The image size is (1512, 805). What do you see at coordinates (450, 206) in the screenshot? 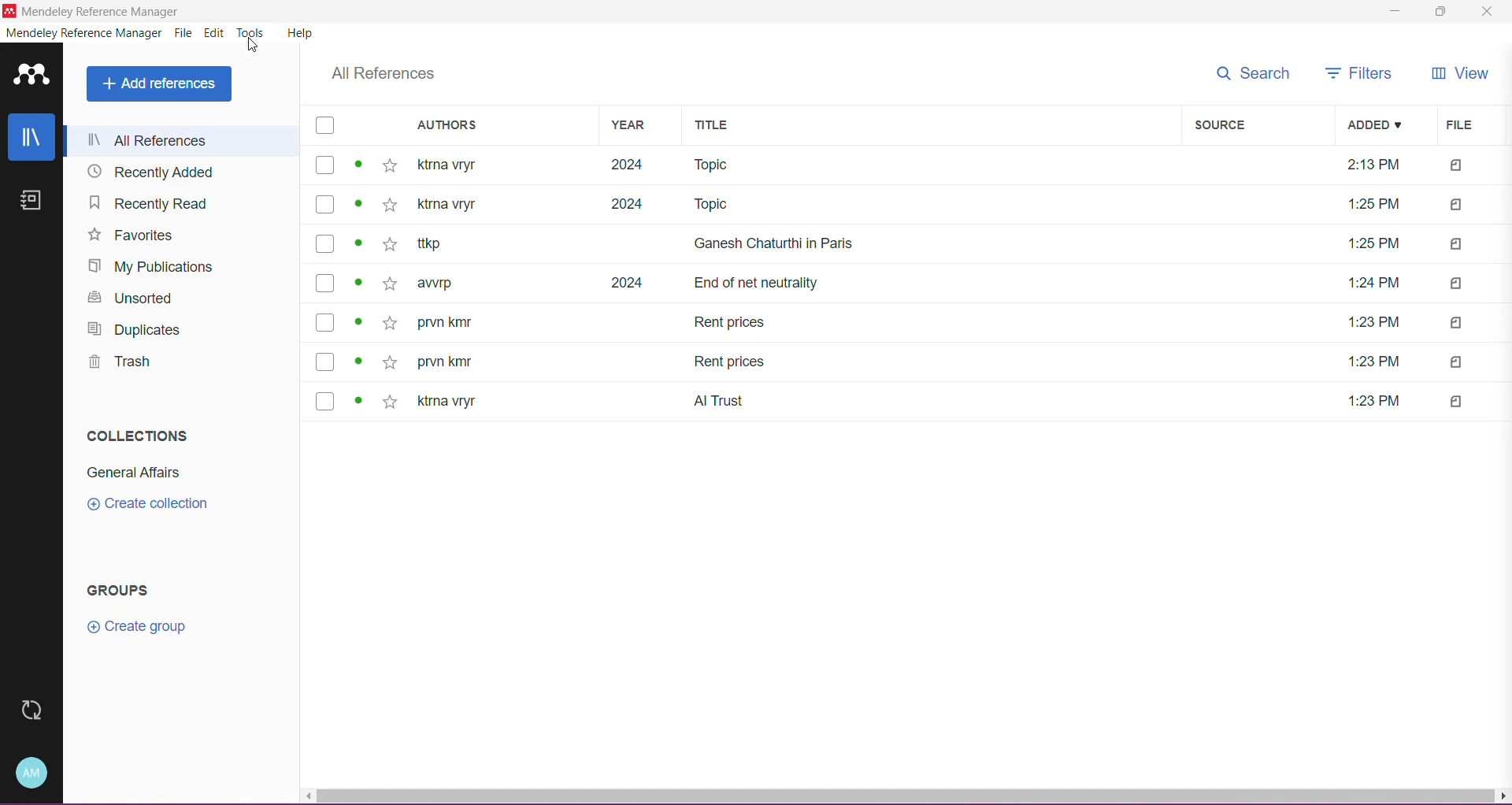
I see `authors` at bounding box center [450, 206].